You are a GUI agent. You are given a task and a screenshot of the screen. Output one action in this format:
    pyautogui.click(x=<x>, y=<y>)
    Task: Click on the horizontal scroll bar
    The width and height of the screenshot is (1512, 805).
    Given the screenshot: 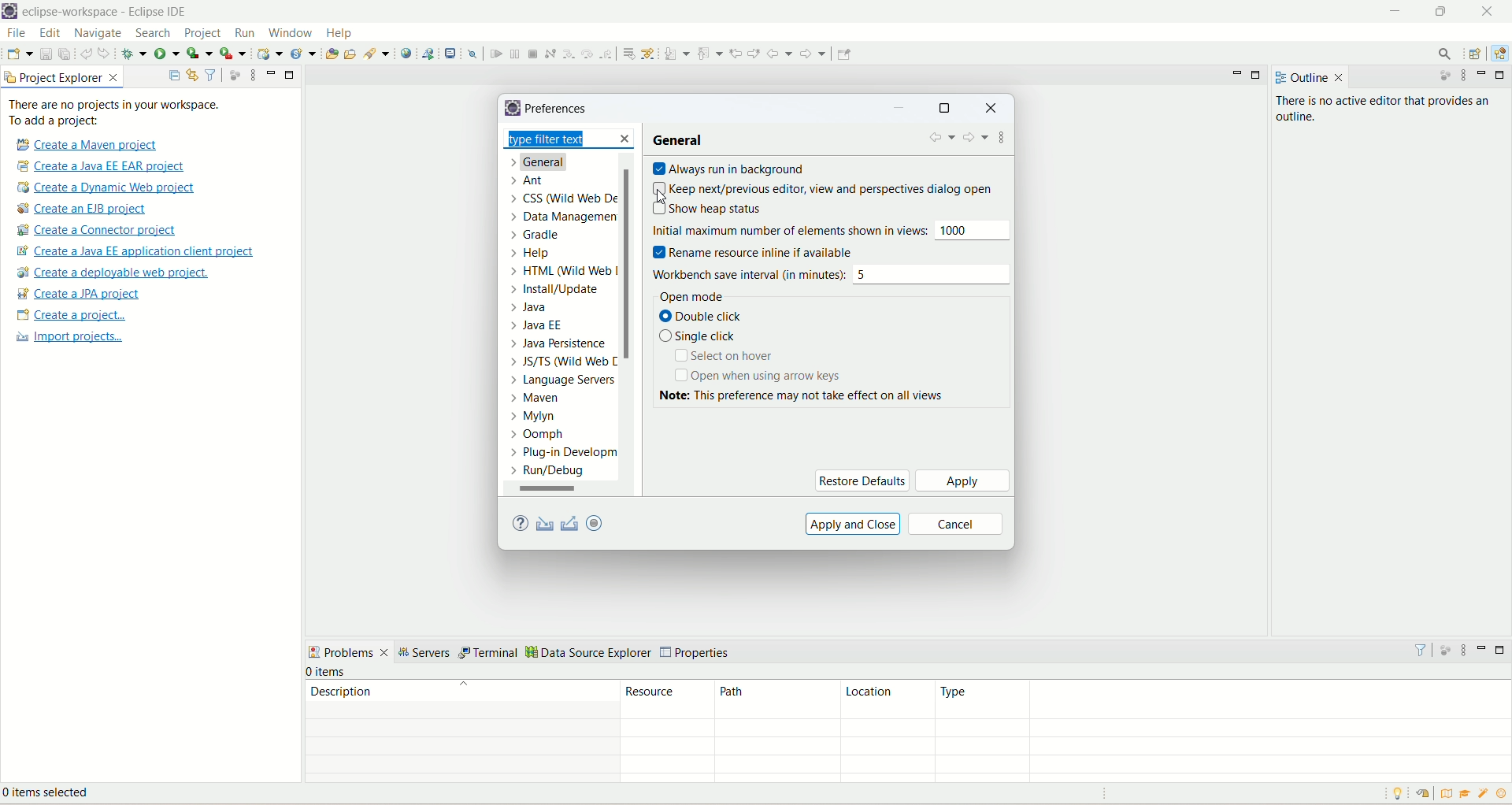 What is the action you would take?
    pyautogui.click(x=559, y=489)
    